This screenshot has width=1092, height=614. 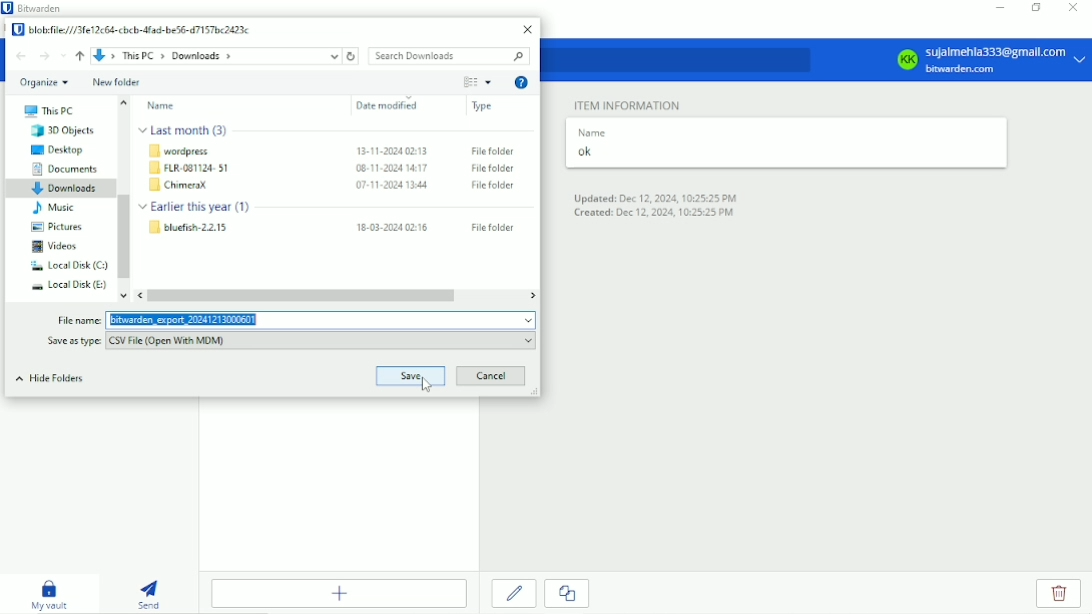 I want to click on Downloads, so click(x=63, y=189).